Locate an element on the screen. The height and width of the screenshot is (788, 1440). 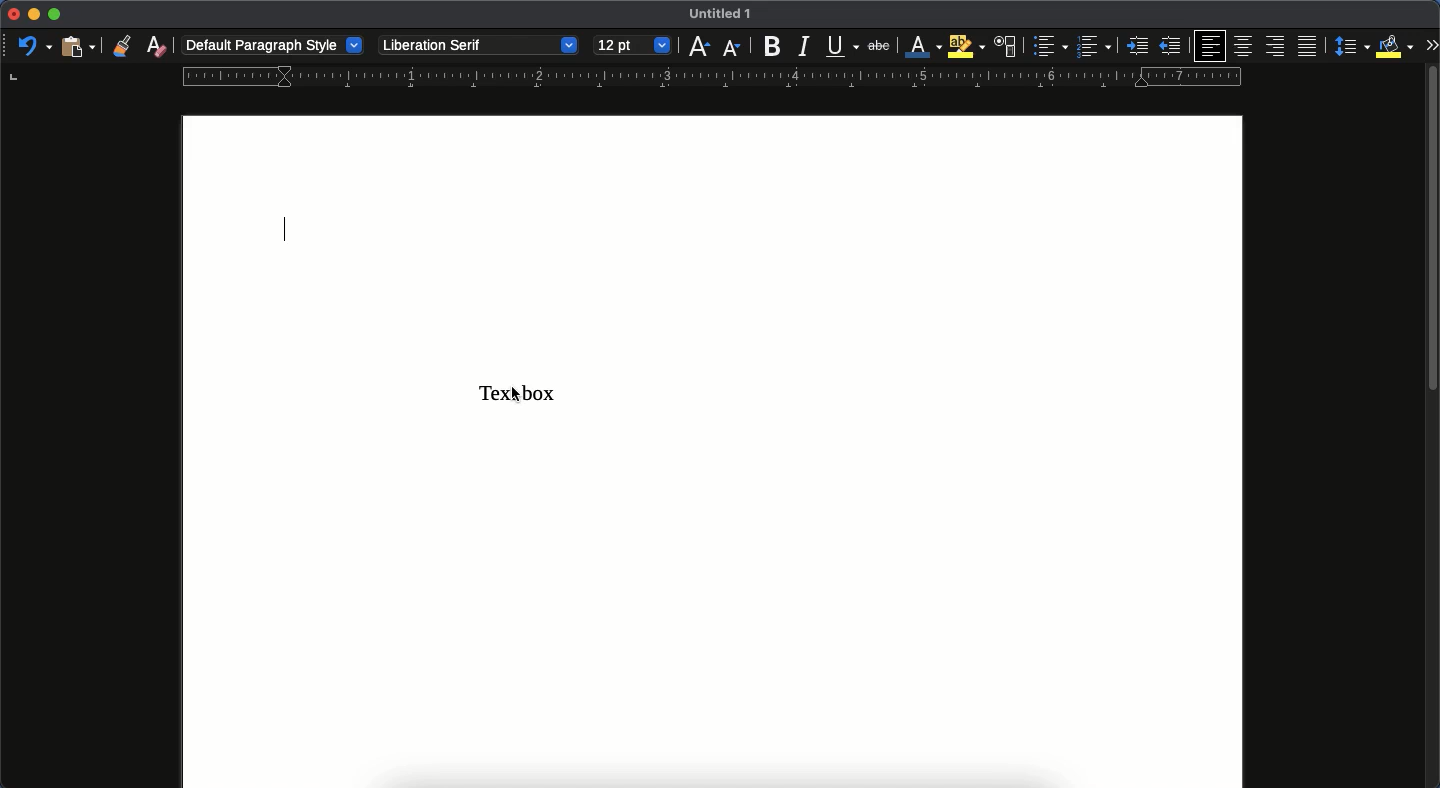
italic  is located at coordinates (803, 46).